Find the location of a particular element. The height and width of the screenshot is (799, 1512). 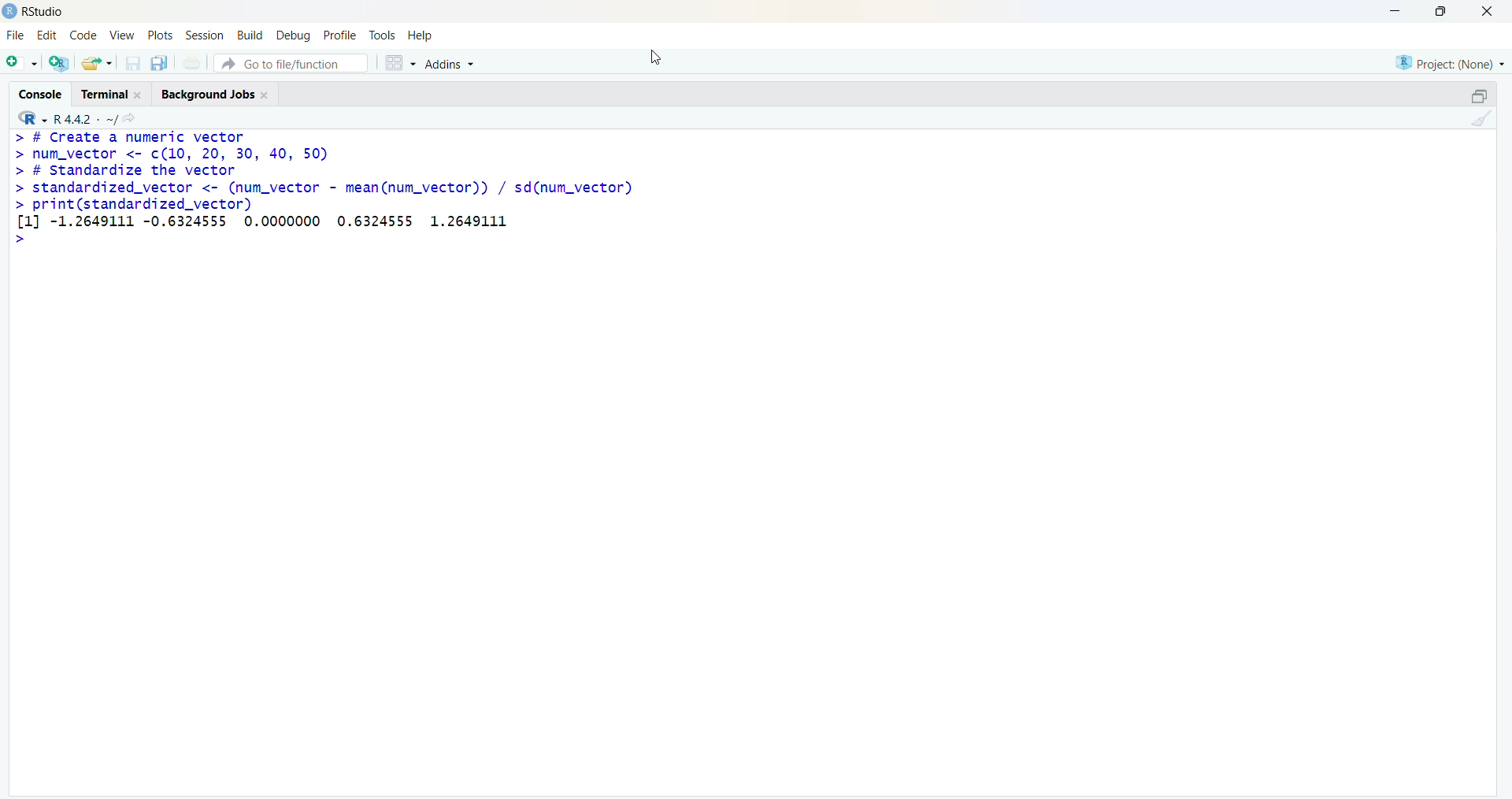

plots is located at coordinates (159, 35).